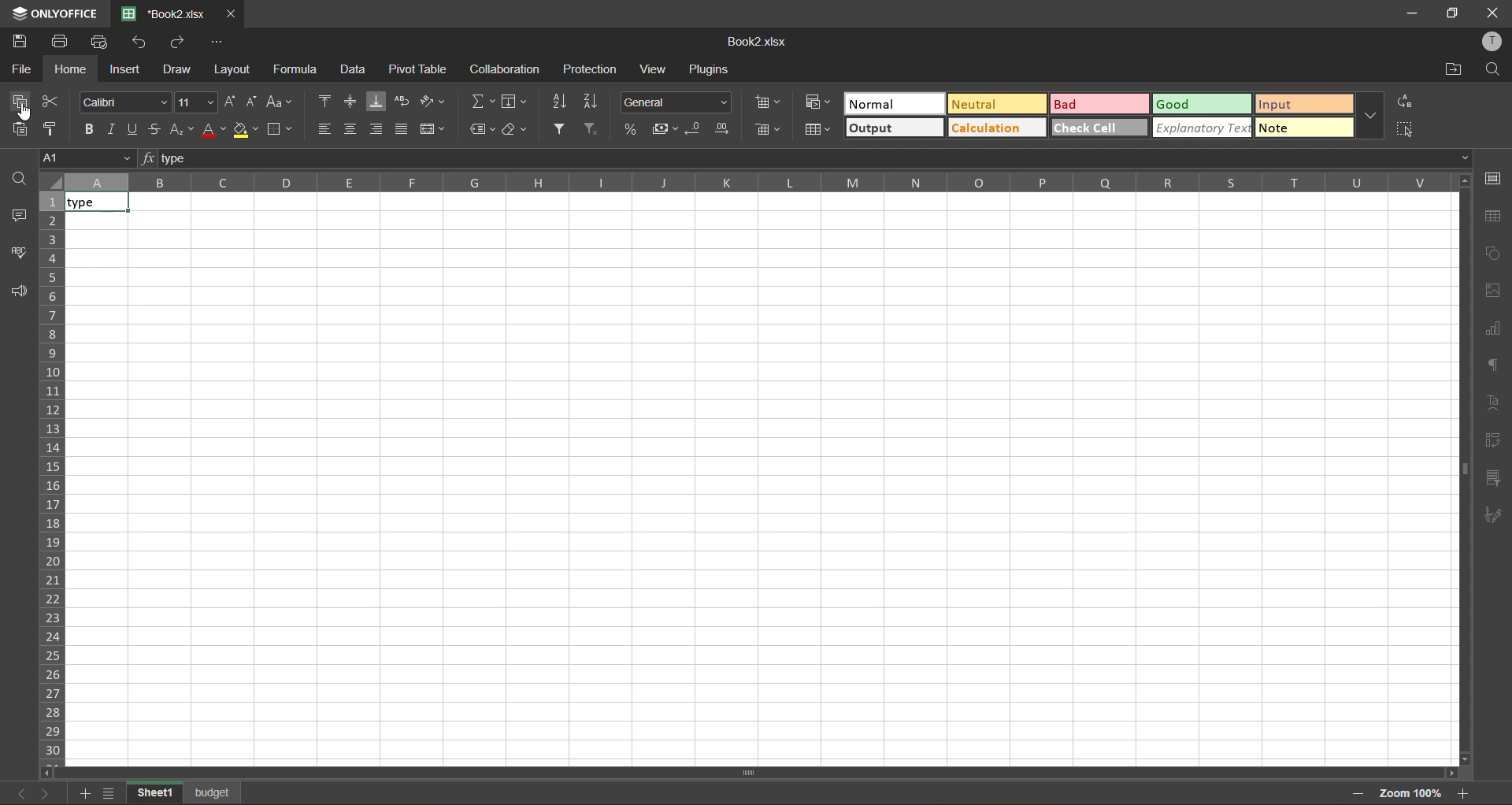 The image size is (1512, 805). Describe the element at coordinates (127, 72) in the screenshot. I see `insert` at that location.